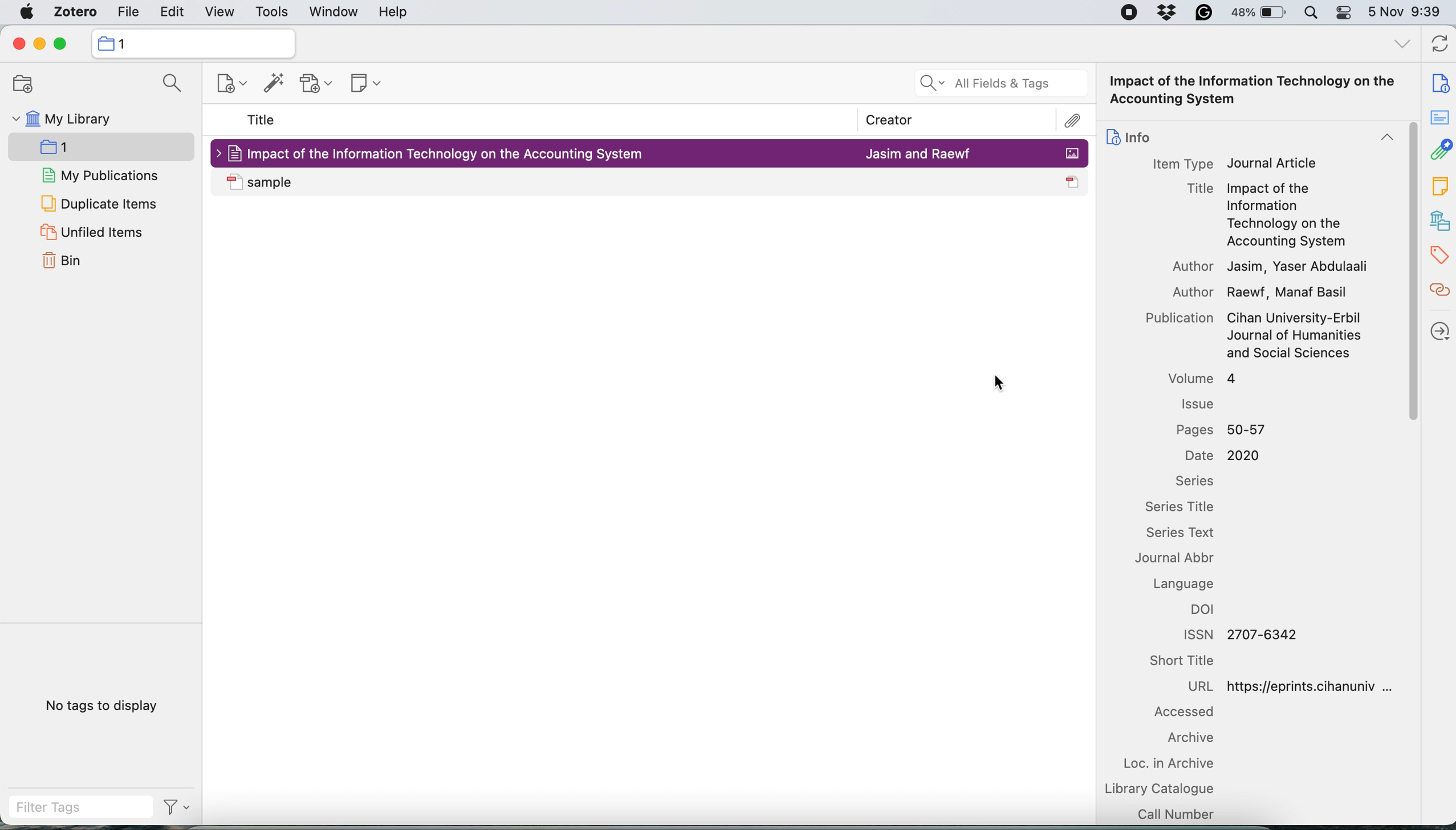 This screenshot has width=1456, height=830. Describe the element at coordinates (1442, 43) in the screenshot. I see `refresh` at that location.